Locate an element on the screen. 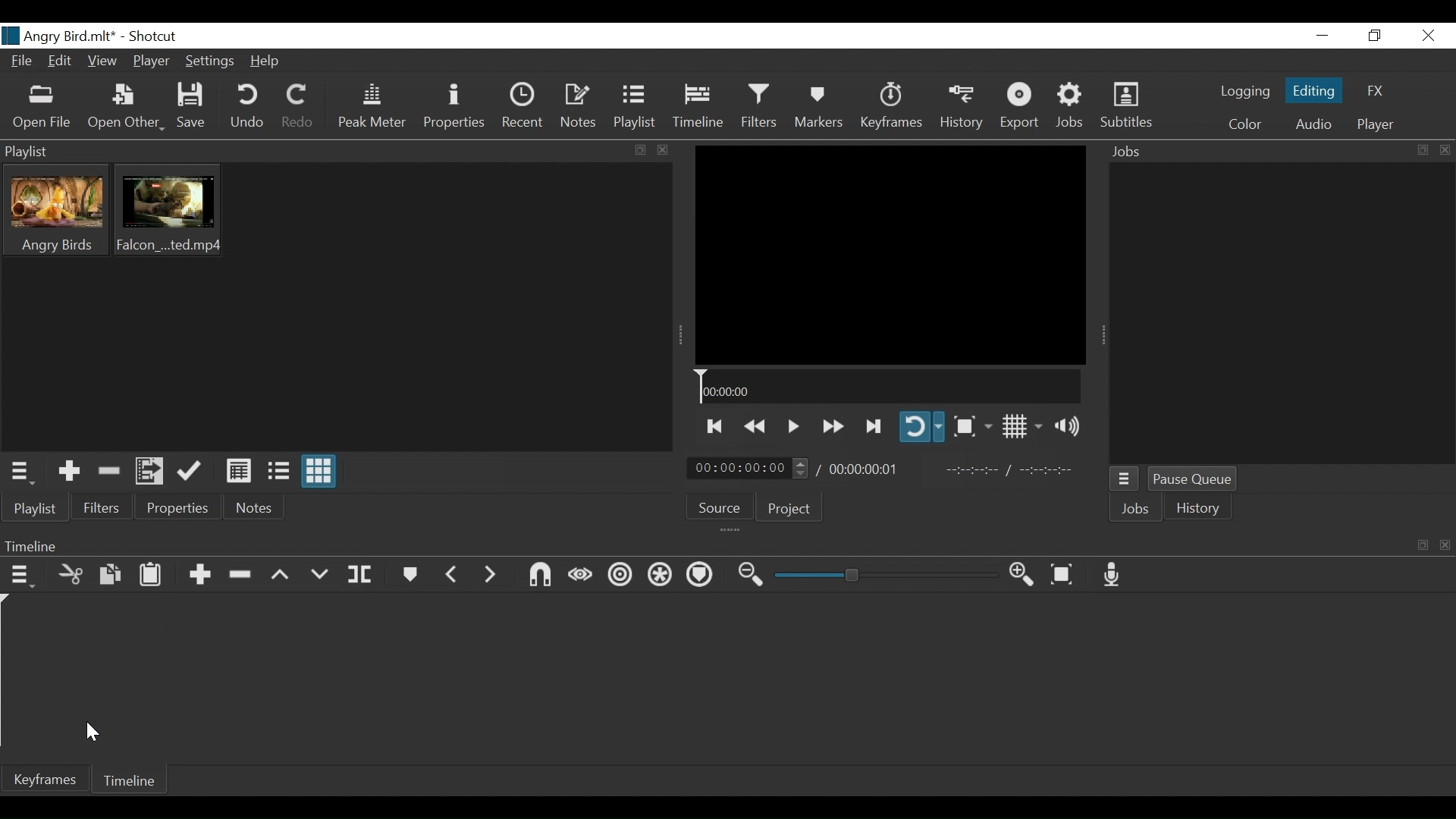 This screenshot has width=1456, height=819. Help is located at coordinates (266, 61).